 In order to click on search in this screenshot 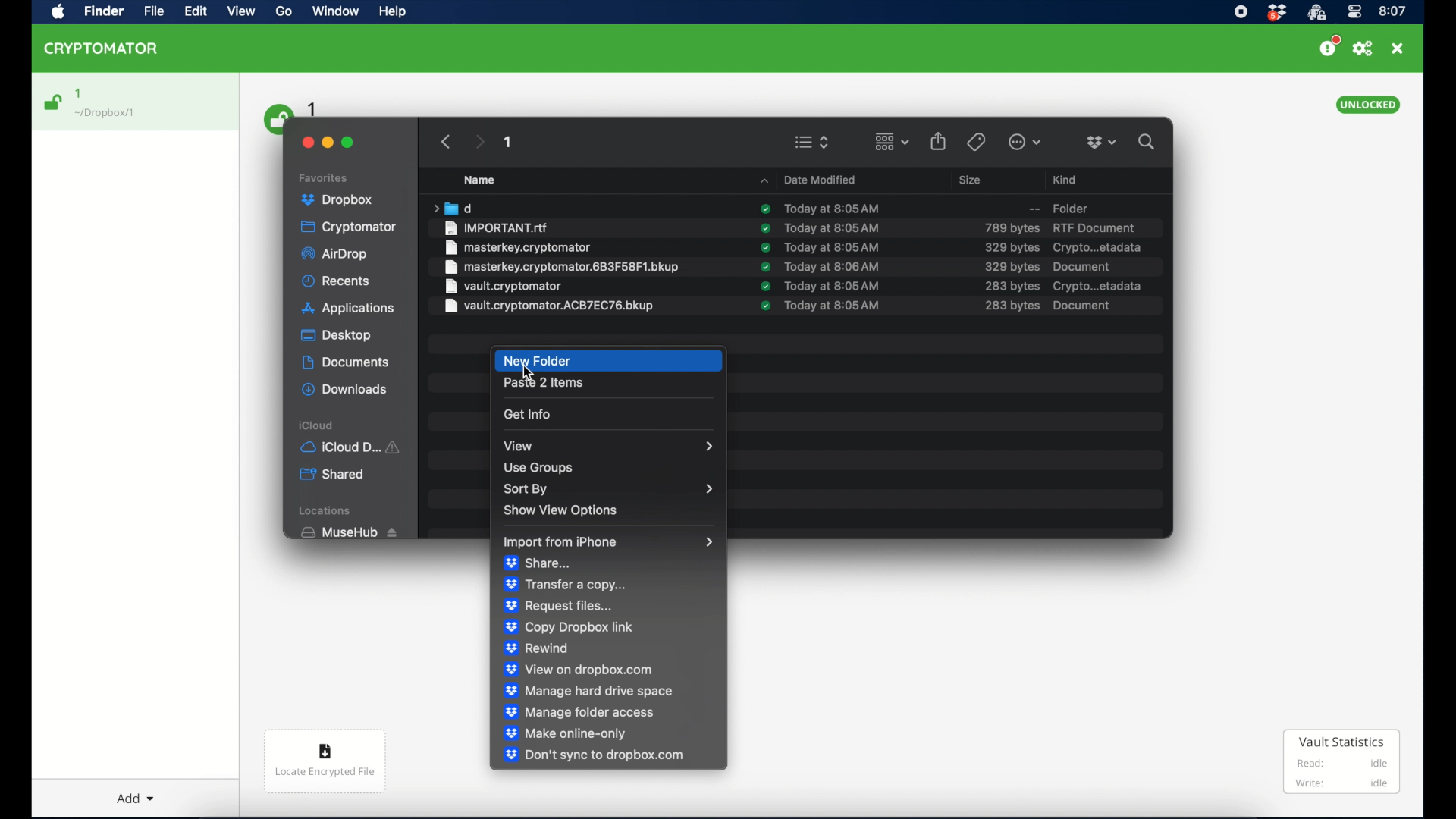, I will do `click(1150, 142)`.